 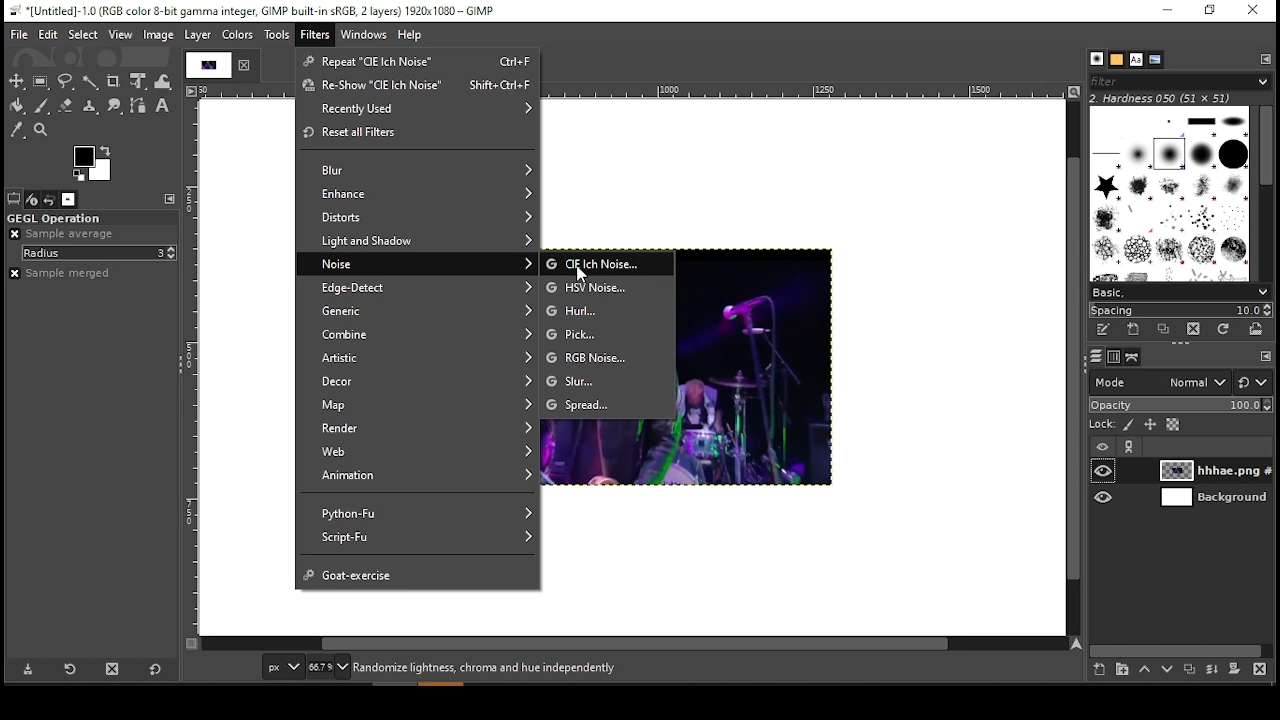 I want to click on rgb noise, so click(x=608, y=357).